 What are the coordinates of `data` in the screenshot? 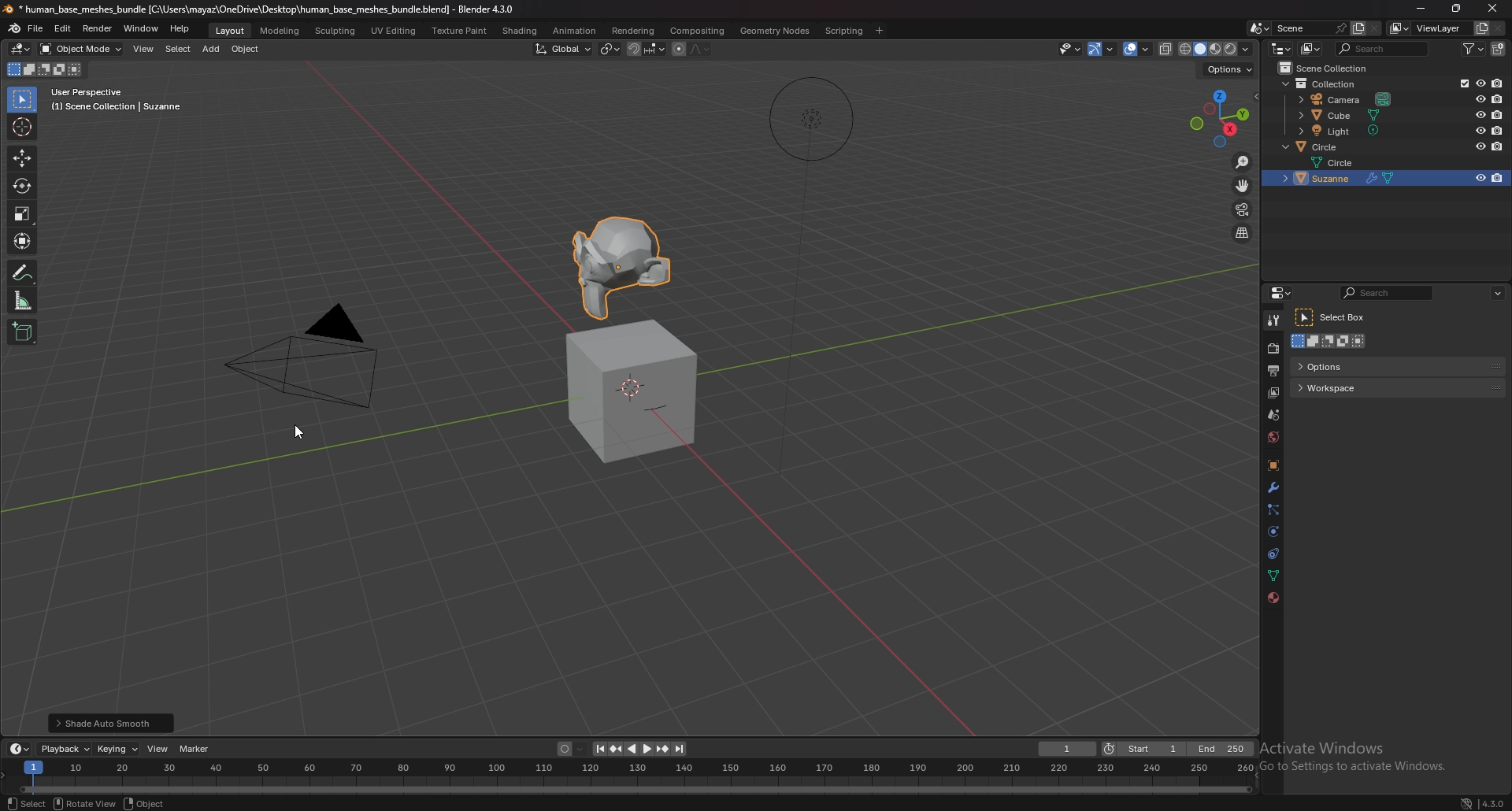 It's located at (1274, 576).